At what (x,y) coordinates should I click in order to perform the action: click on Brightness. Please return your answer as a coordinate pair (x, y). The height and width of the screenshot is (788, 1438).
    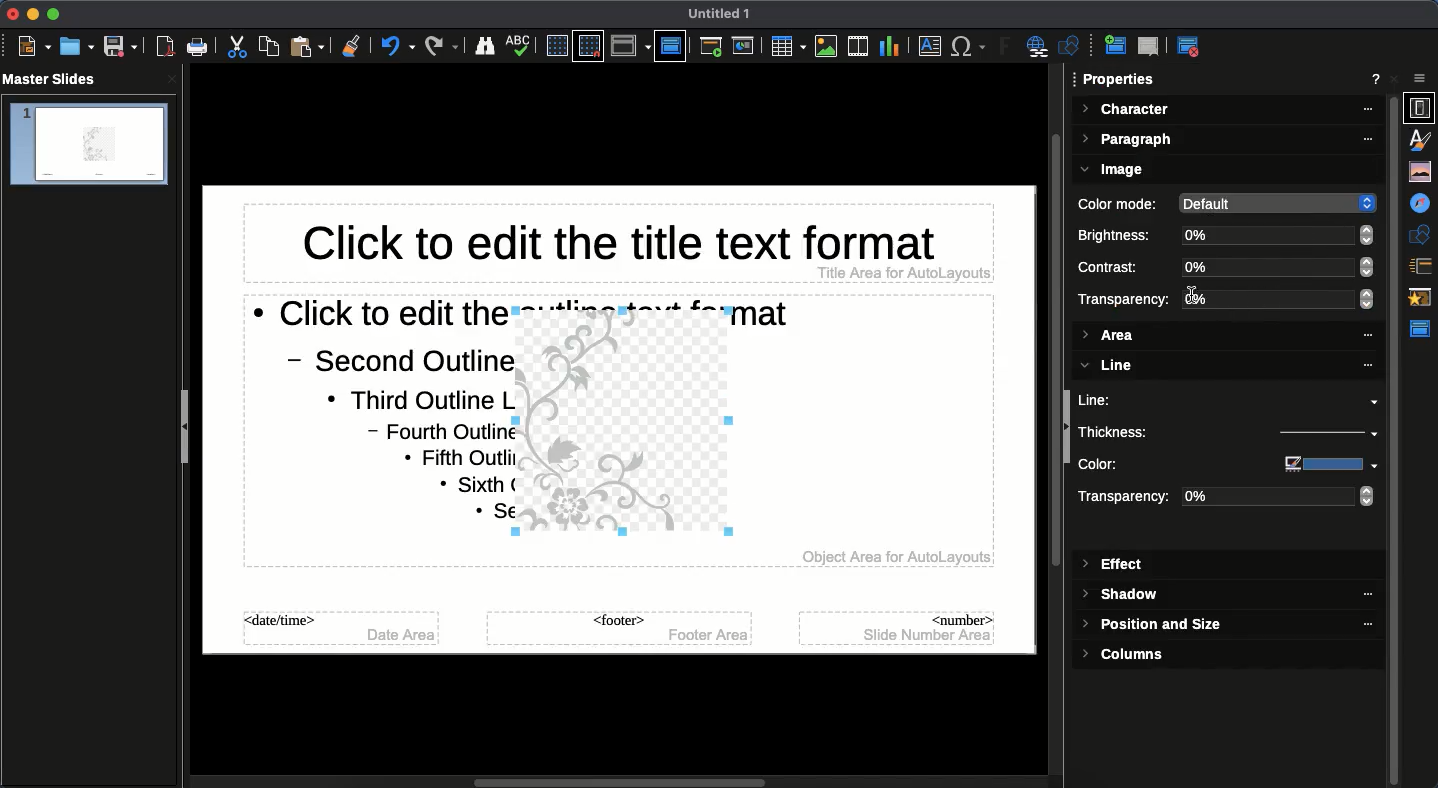
    Looking at the image, I should click on (1119, 235).